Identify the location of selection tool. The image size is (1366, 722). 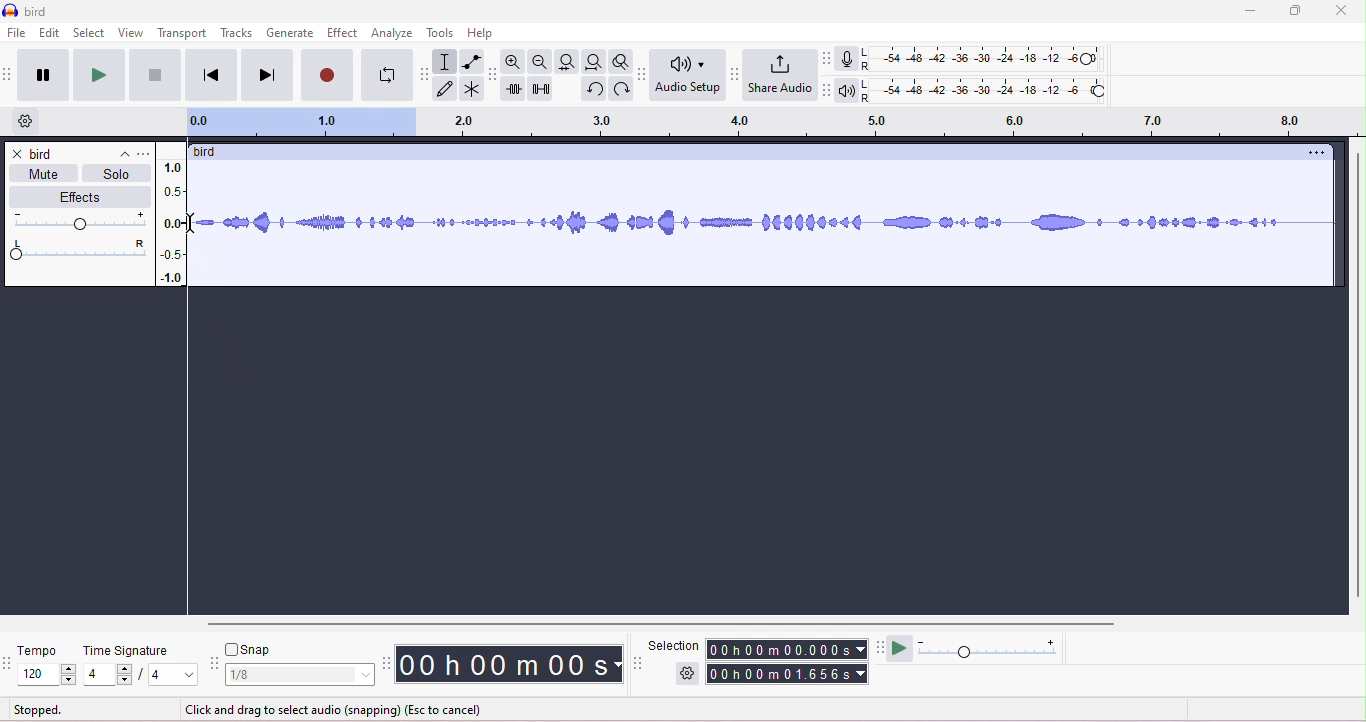
(640, 663).